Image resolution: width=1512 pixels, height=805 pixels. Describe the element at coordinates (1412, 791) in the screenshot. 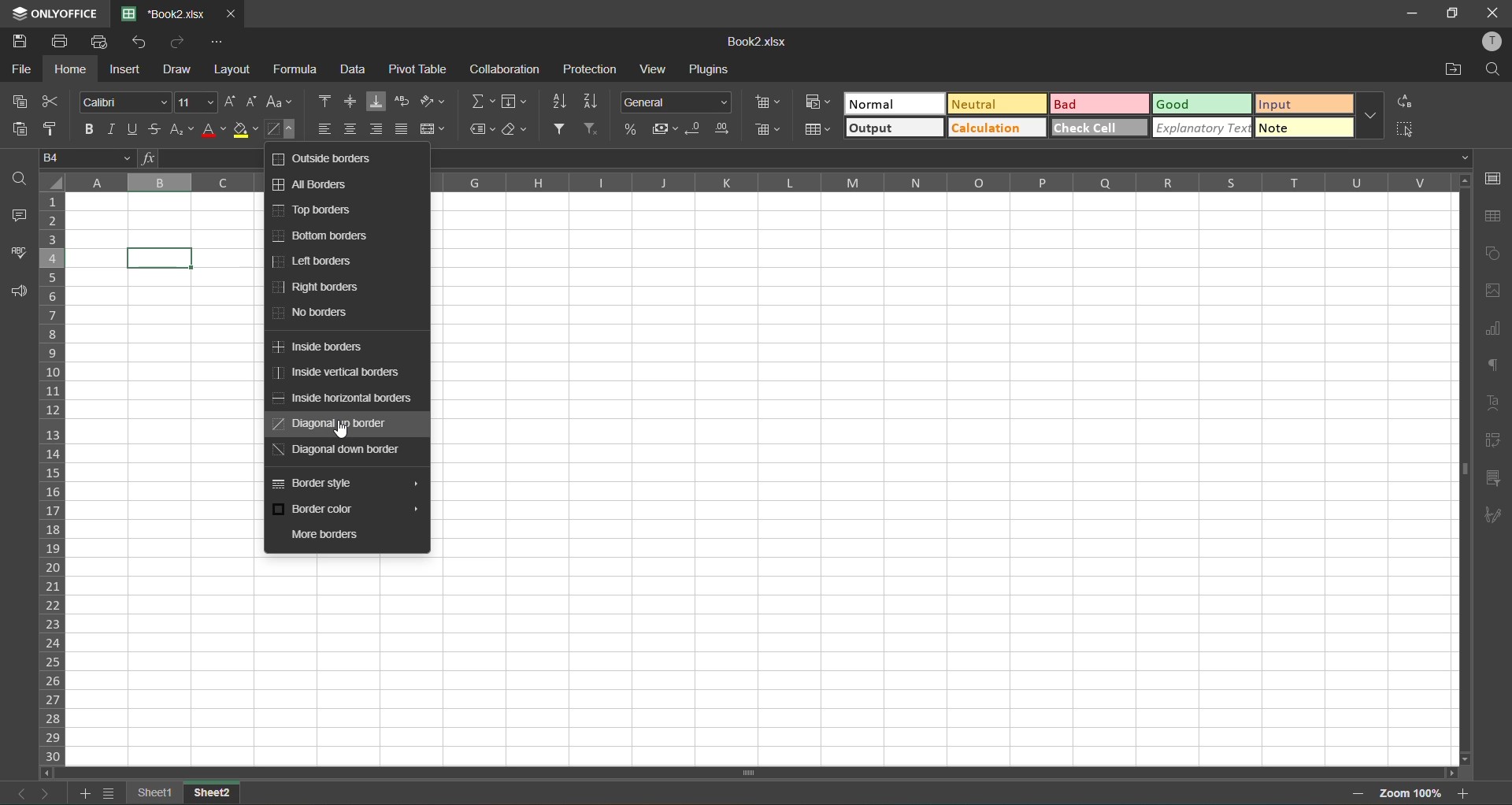

I see `zoom factor` at that location.